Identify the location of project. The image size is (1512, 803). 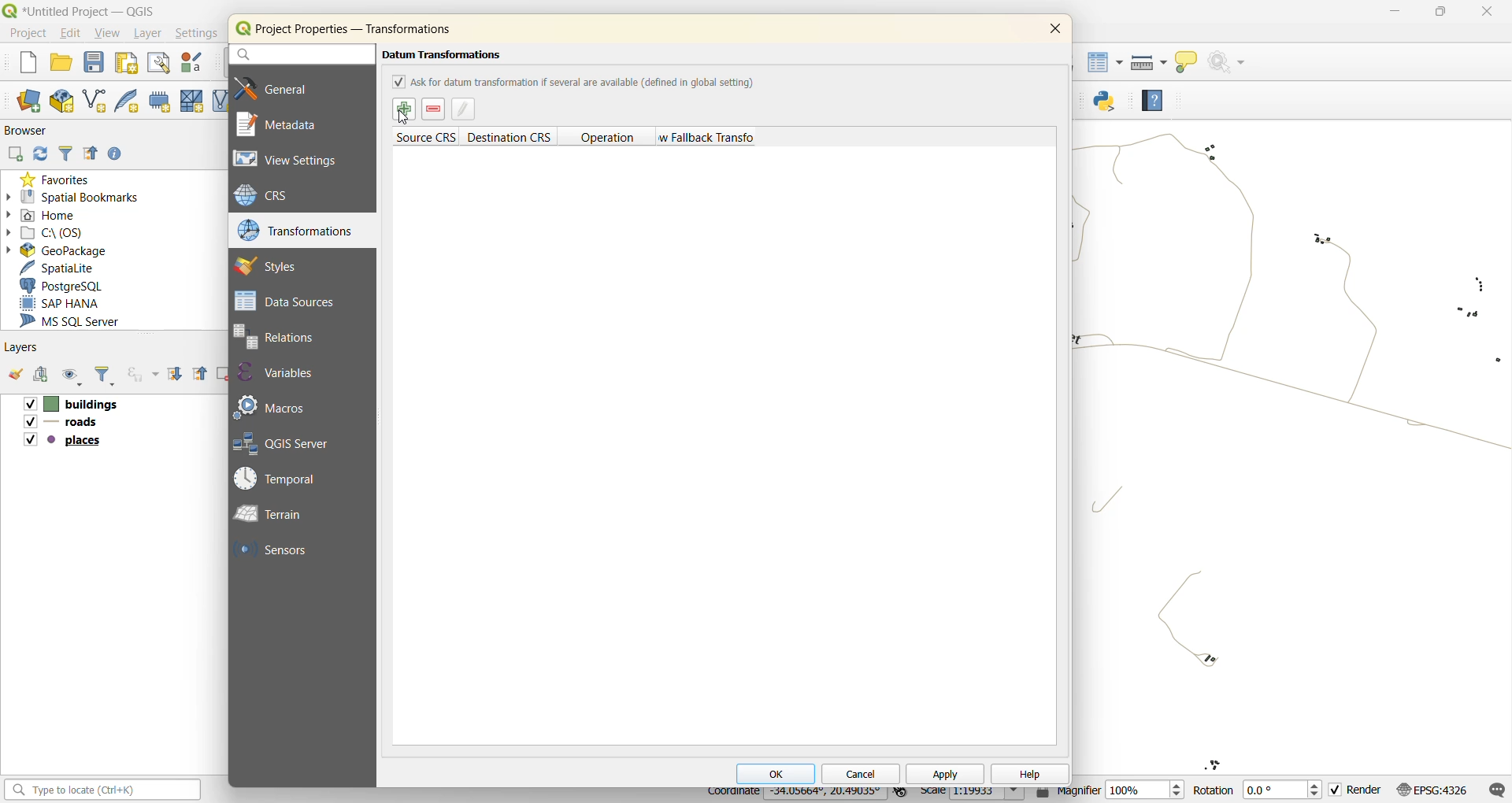
(25, 31).